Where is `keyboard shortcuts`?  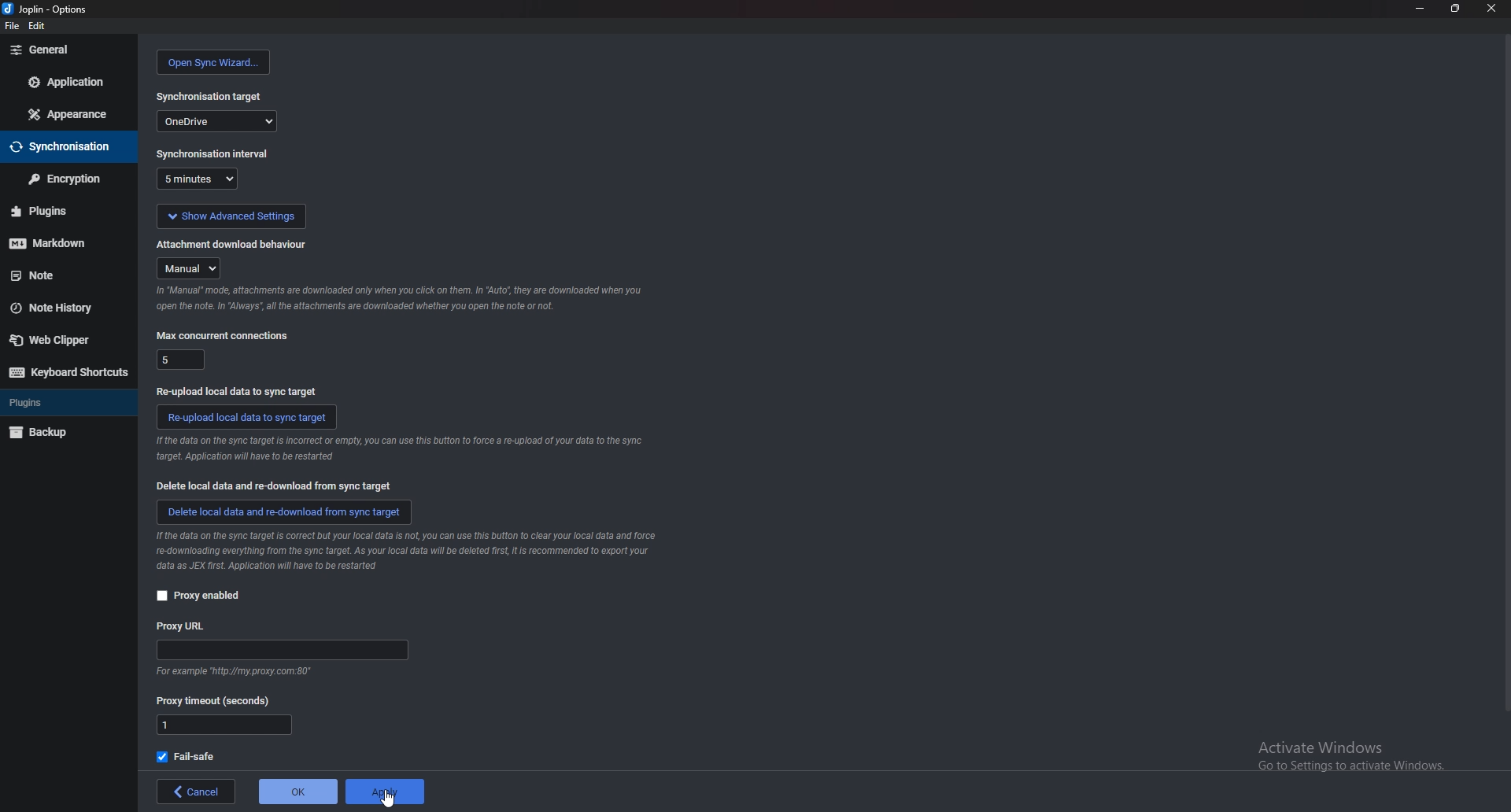
keyboard shortcuts is located at coordinates (65, 371).